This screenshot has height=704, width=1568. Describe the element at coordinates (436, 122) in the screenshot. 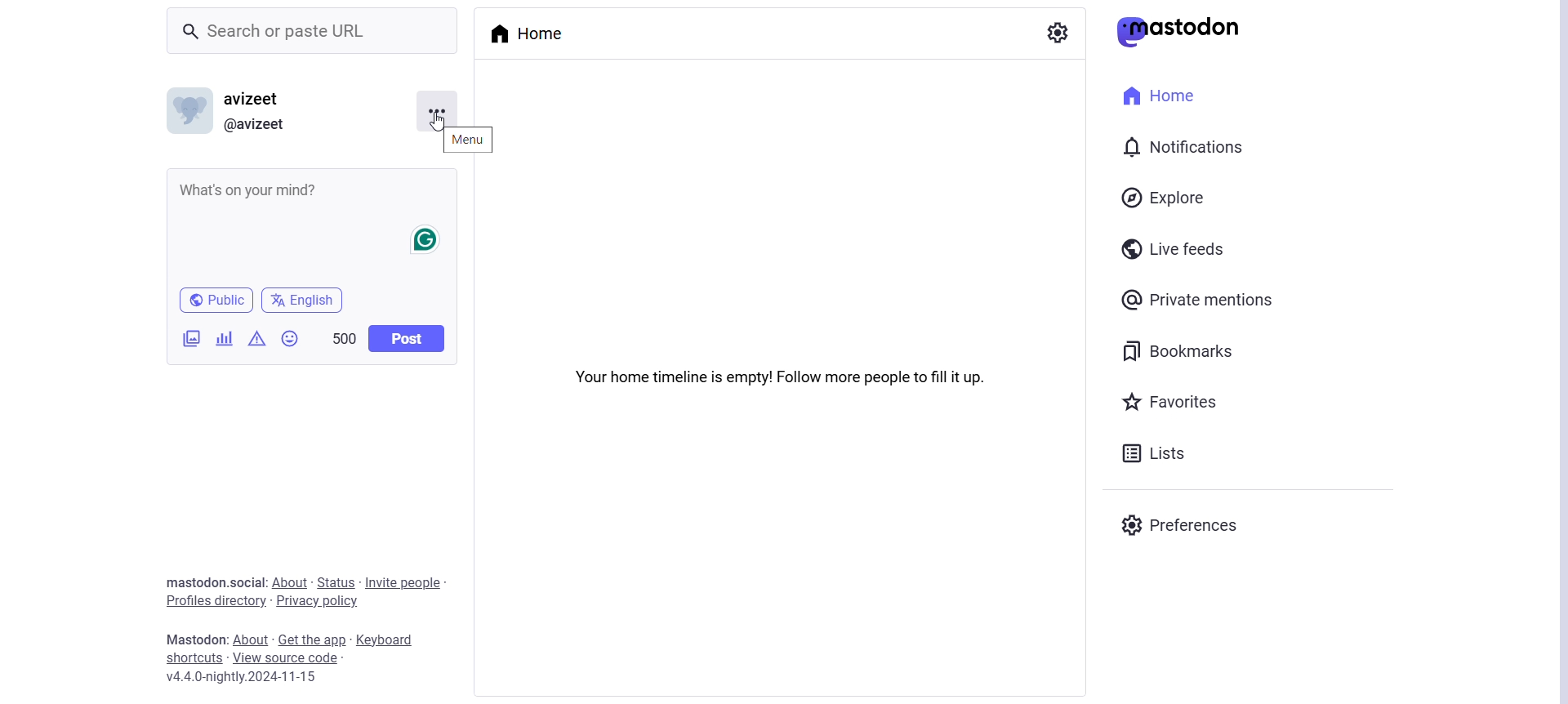

I see `cursor` at that location.